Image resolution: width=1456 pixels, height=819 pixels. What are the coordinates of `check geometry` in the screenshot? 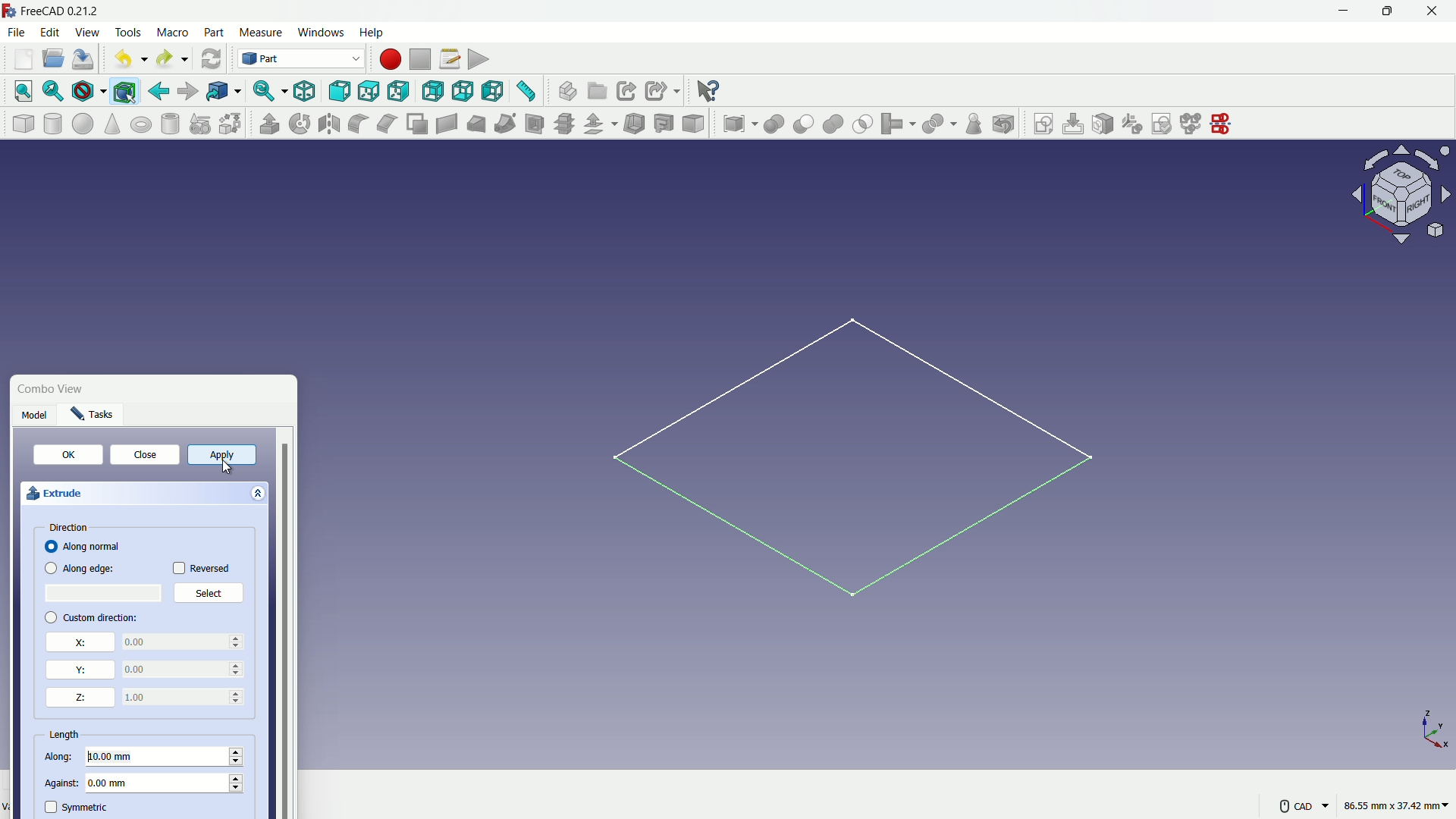 It's located at (976, 124).